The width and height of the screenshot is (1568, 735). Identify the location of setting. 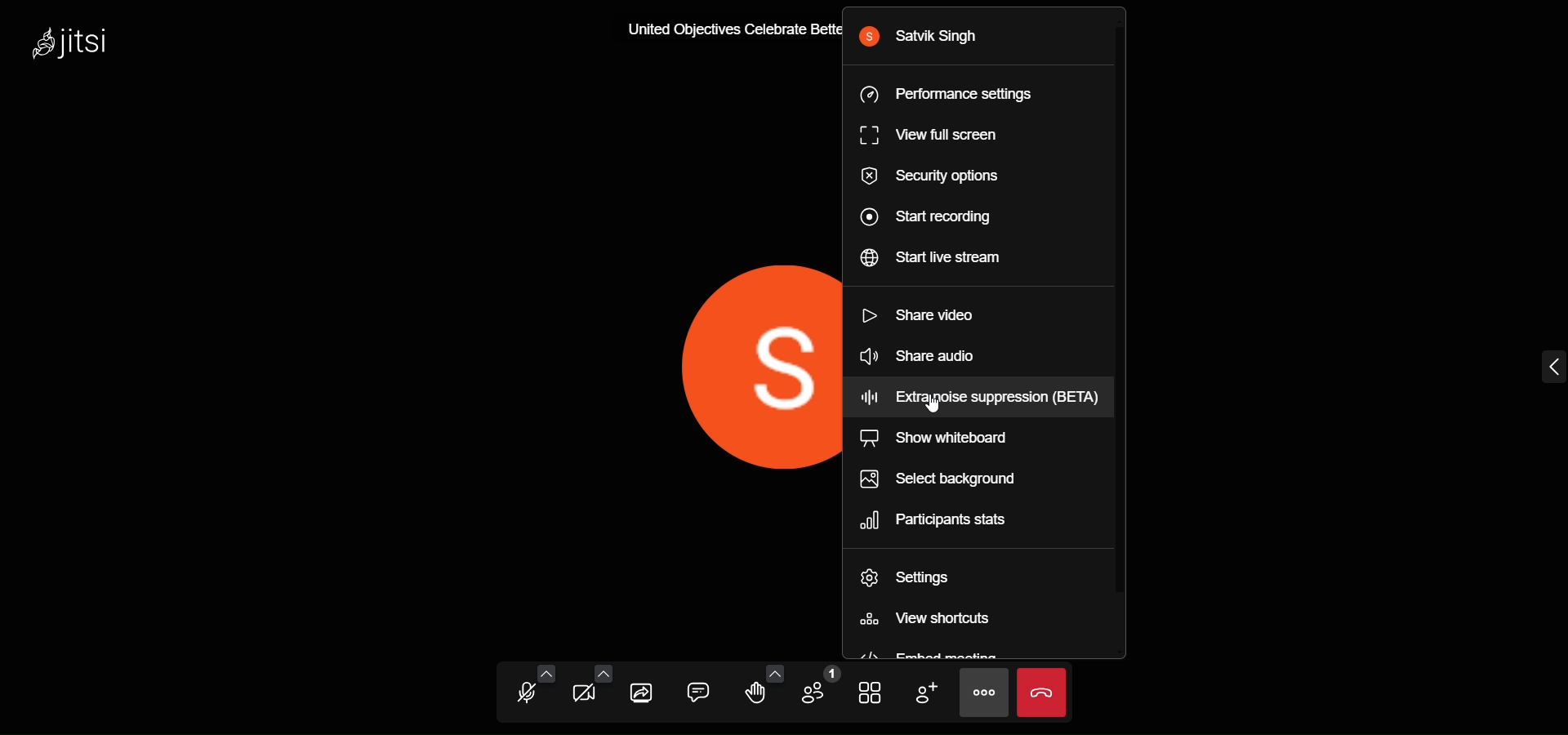
(917, 576).